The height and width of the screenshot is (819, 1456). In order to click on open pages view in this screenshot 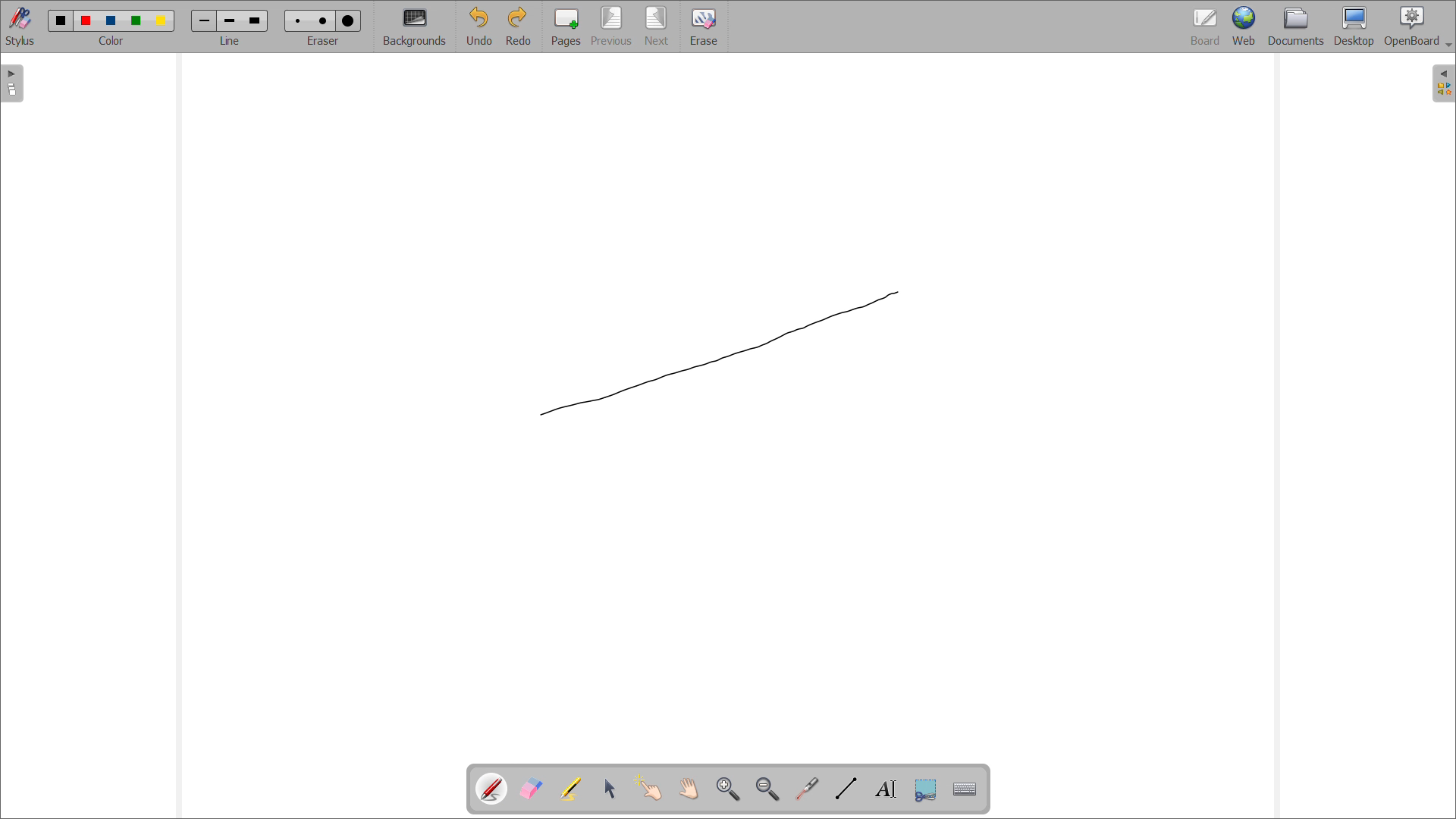, I will do `click(13, 83)`.